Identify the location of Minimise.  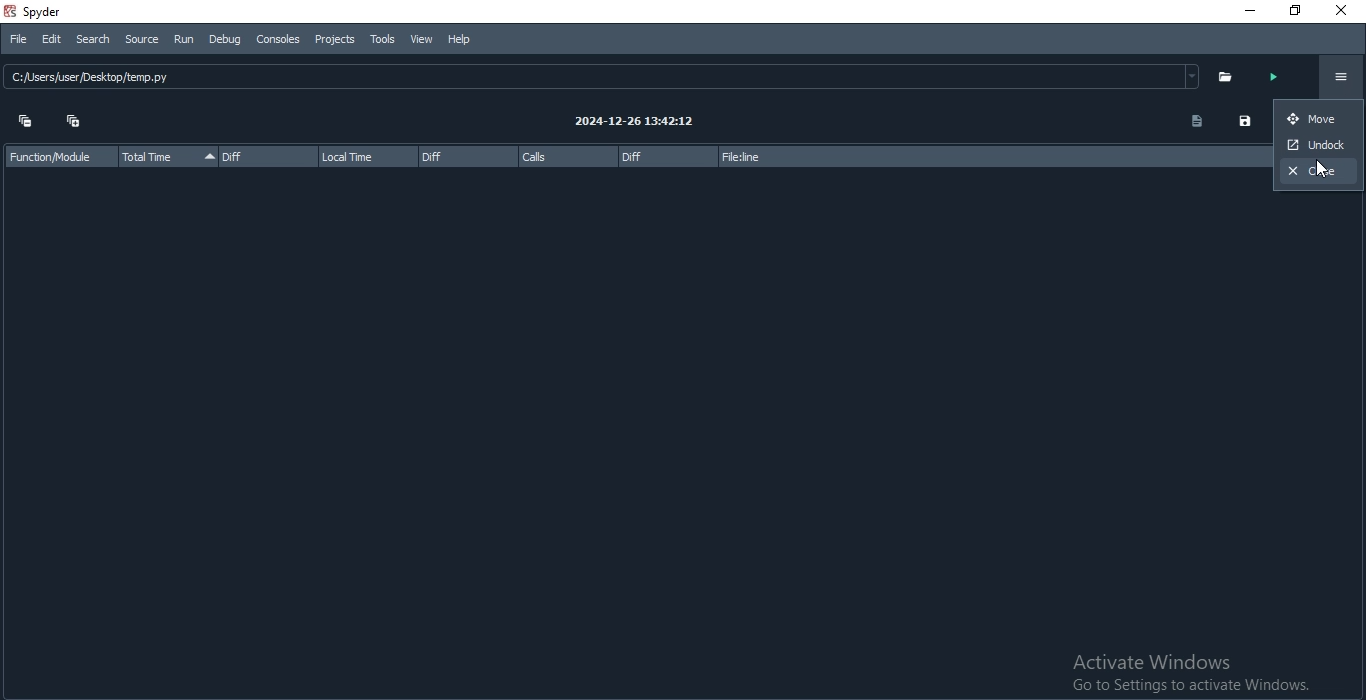
(1243, 12).